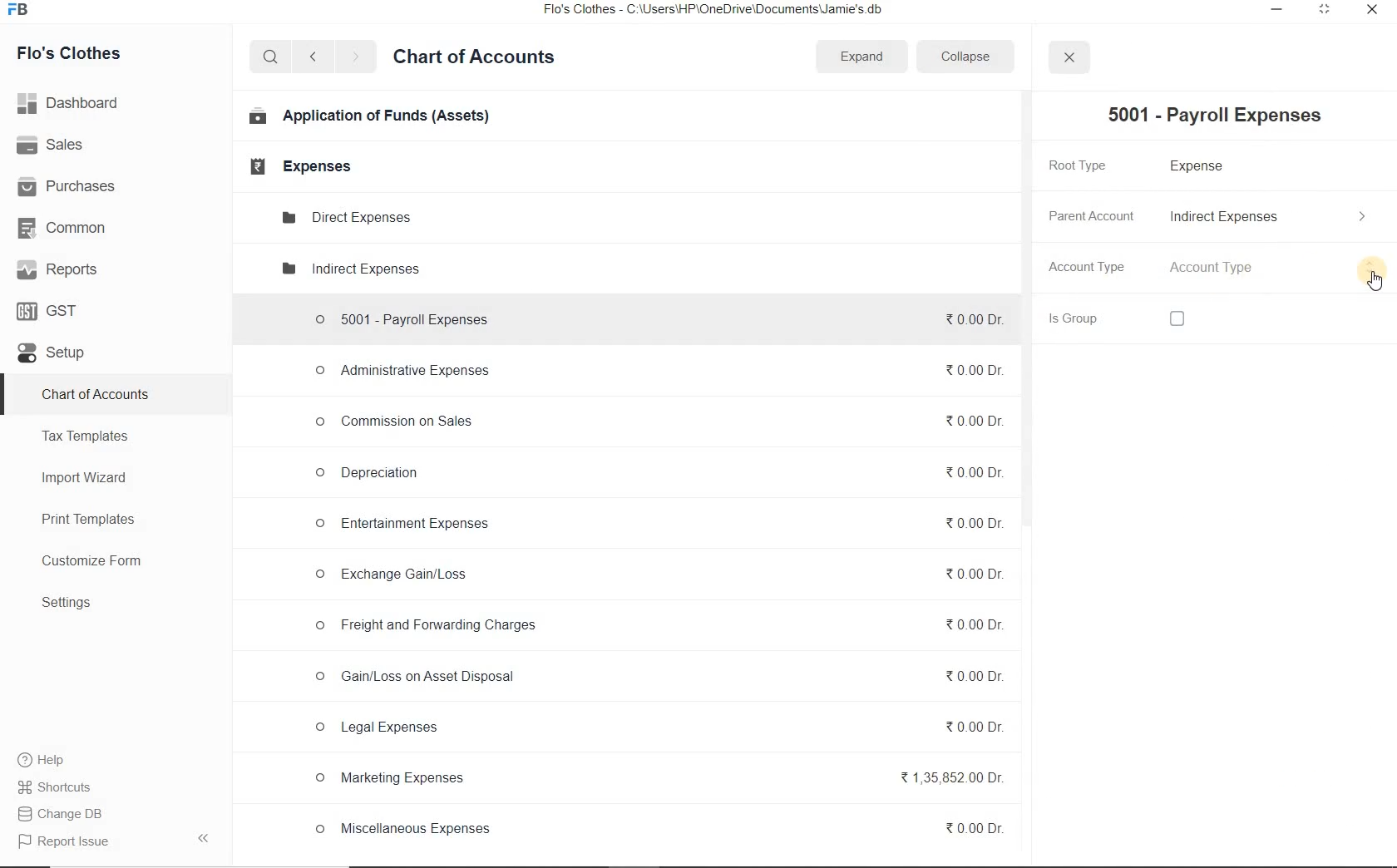  I want to click on O Entertainment Expenses %0.00Dr., so click(654, 525).